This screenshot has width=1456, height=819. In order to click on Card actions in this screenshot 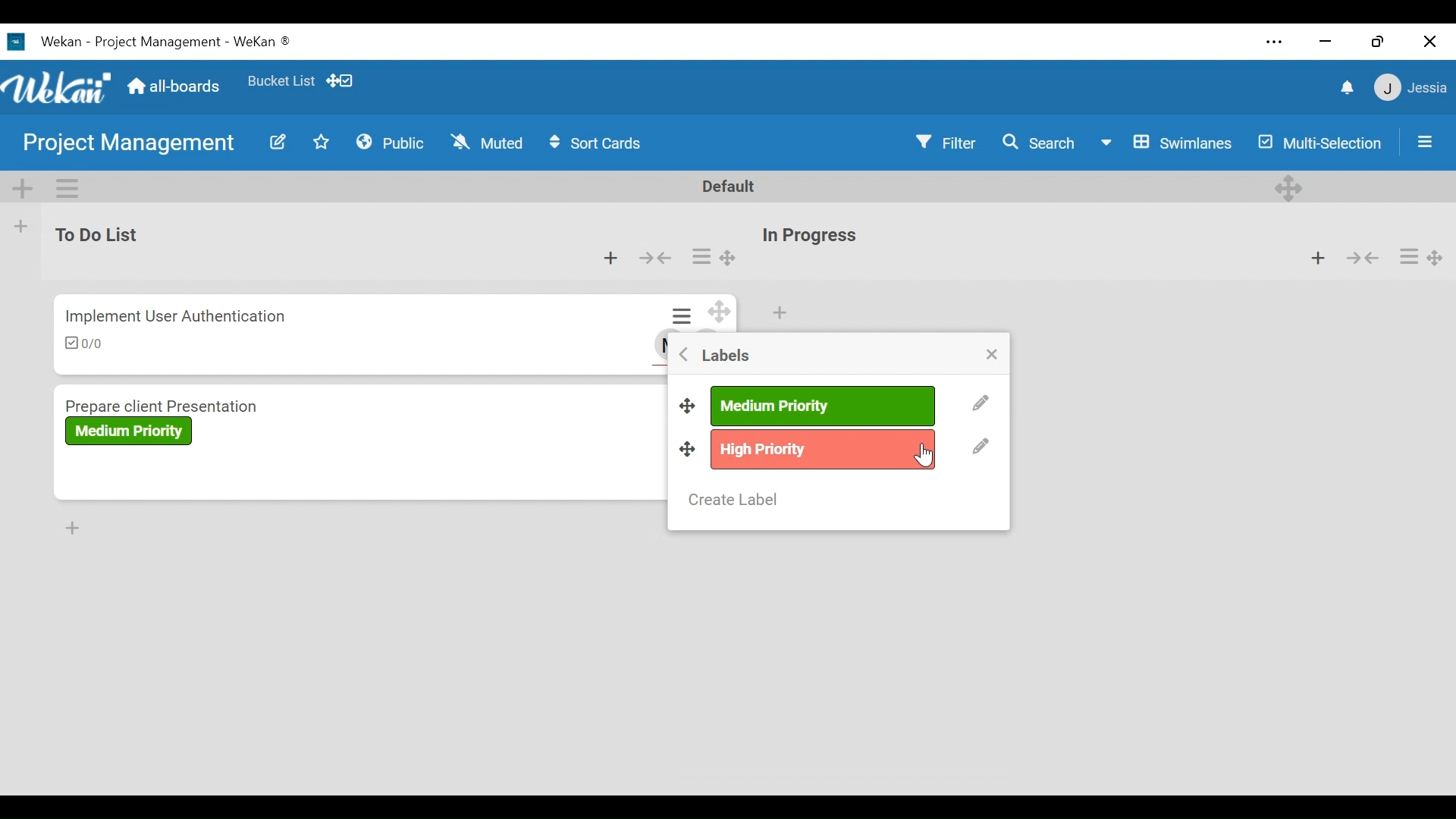, I will do `click(700, 257)`.